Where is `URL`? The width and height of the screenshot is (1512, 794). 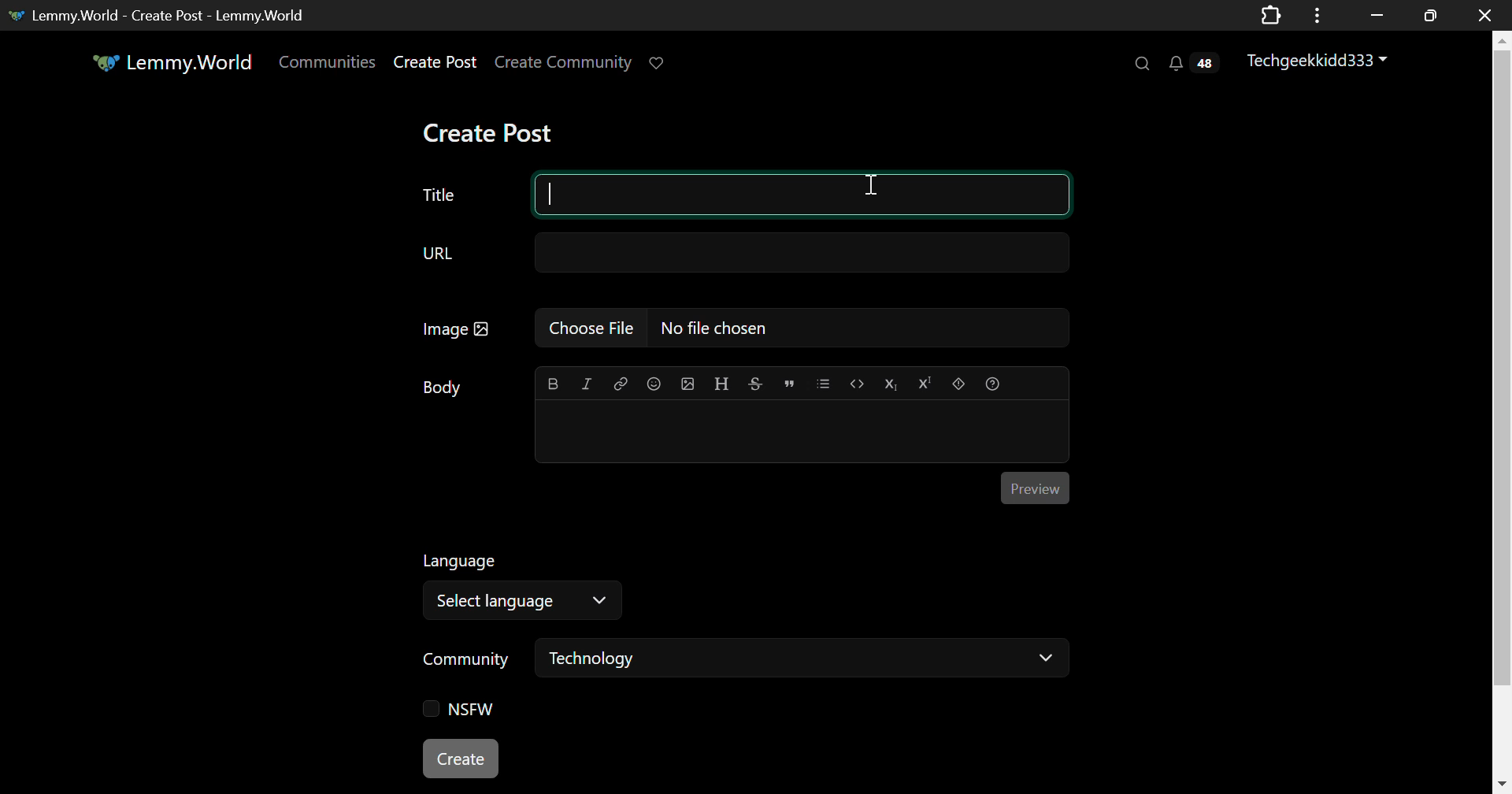
URL is located at coordinates (746, 252).